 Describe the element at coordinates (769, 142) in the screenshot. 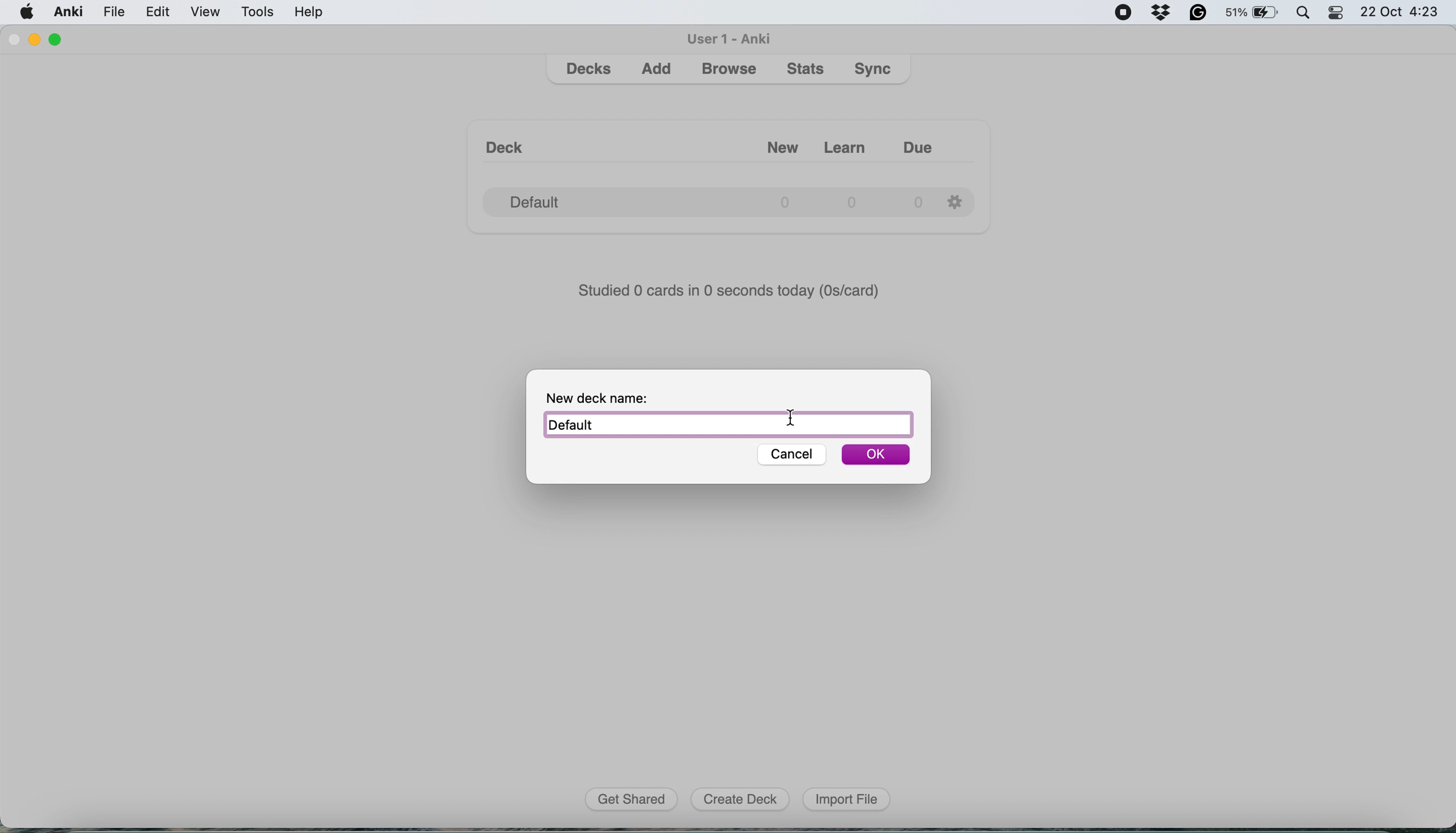

I see `New` at that location.